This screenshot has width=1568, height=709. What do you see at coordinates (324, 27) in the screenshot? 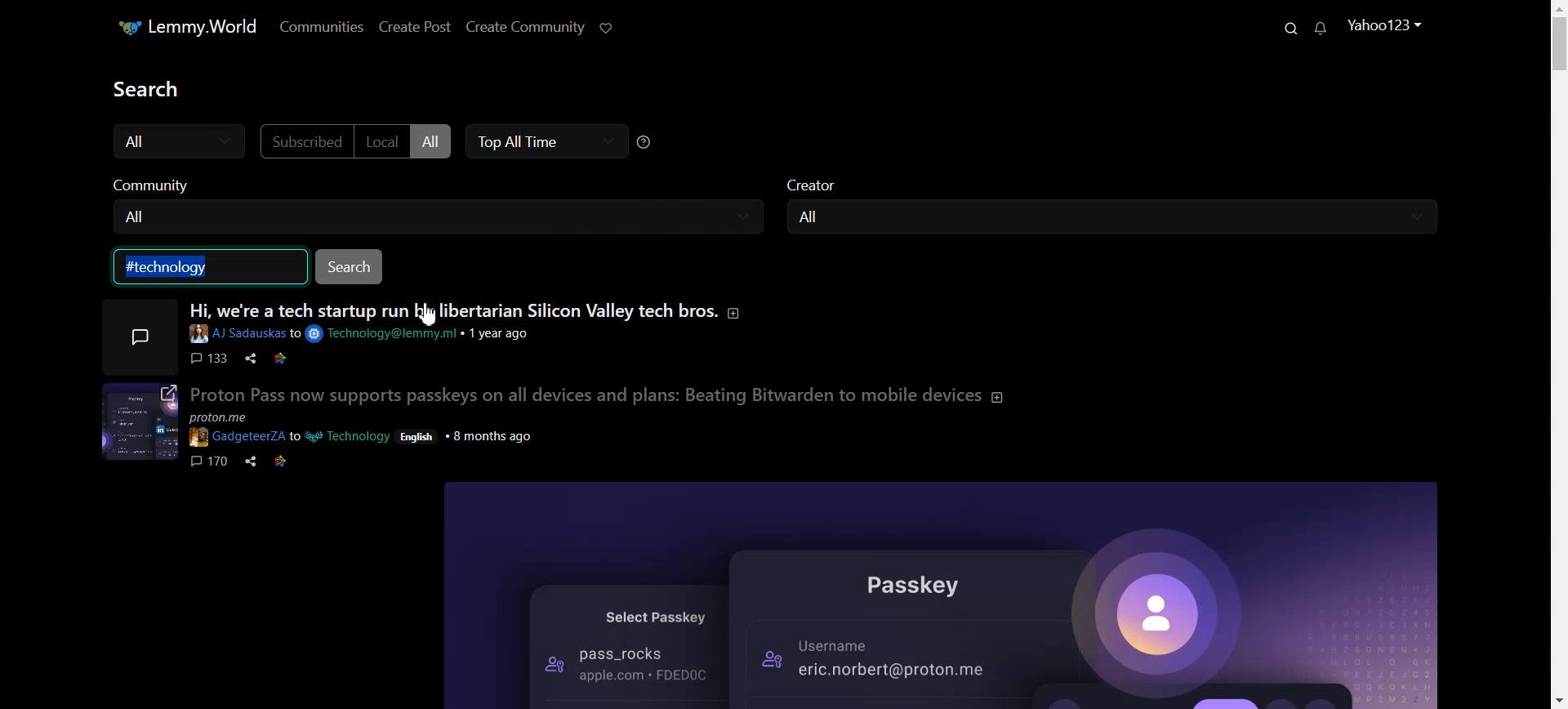
I see `Communities` at bounding box center [324, 27].